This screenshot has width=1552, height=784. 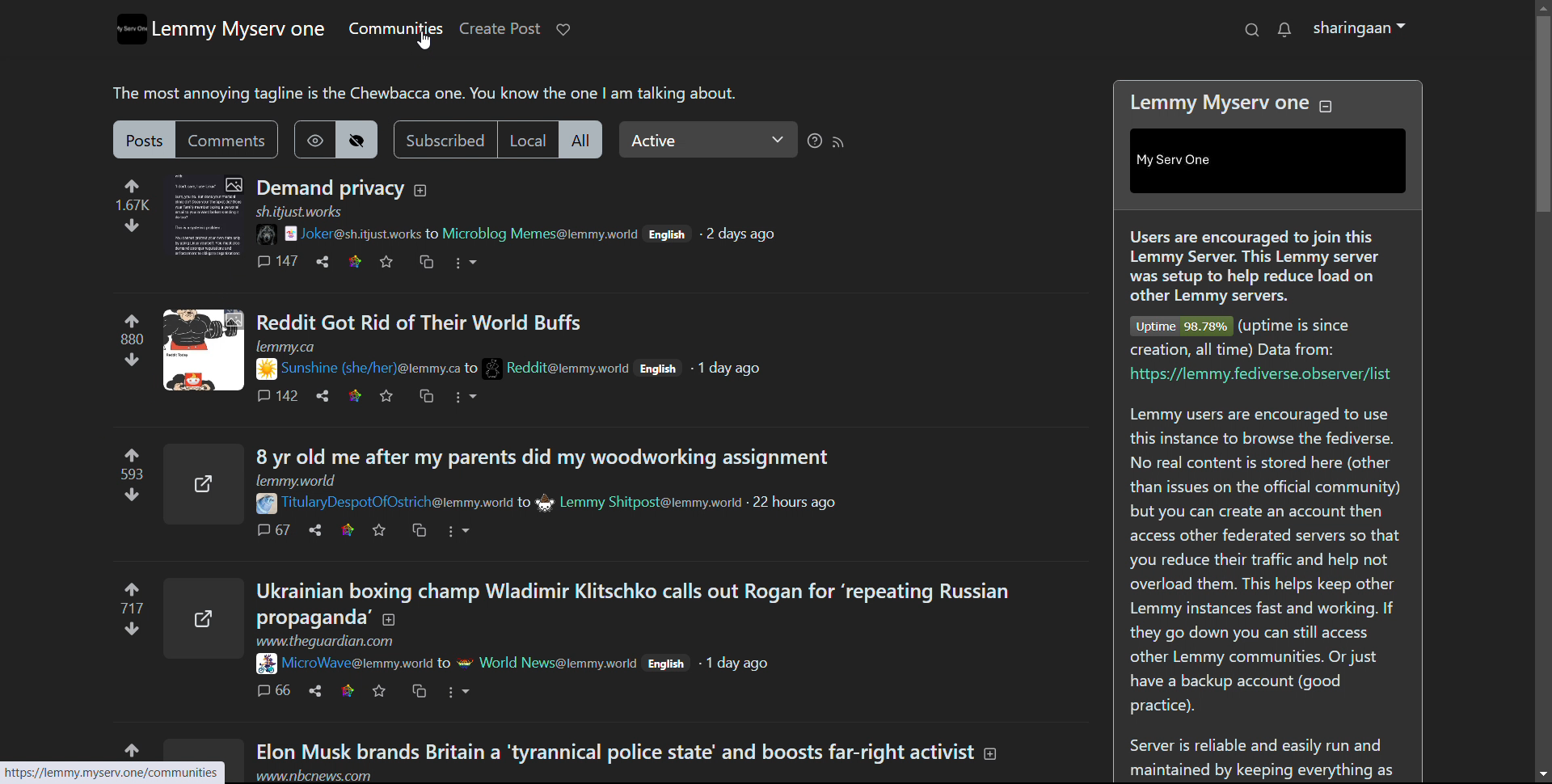 What do you see at coordinates (131, 584) in the screenshot?
I see `upvote` at bounding box center [131, 584].